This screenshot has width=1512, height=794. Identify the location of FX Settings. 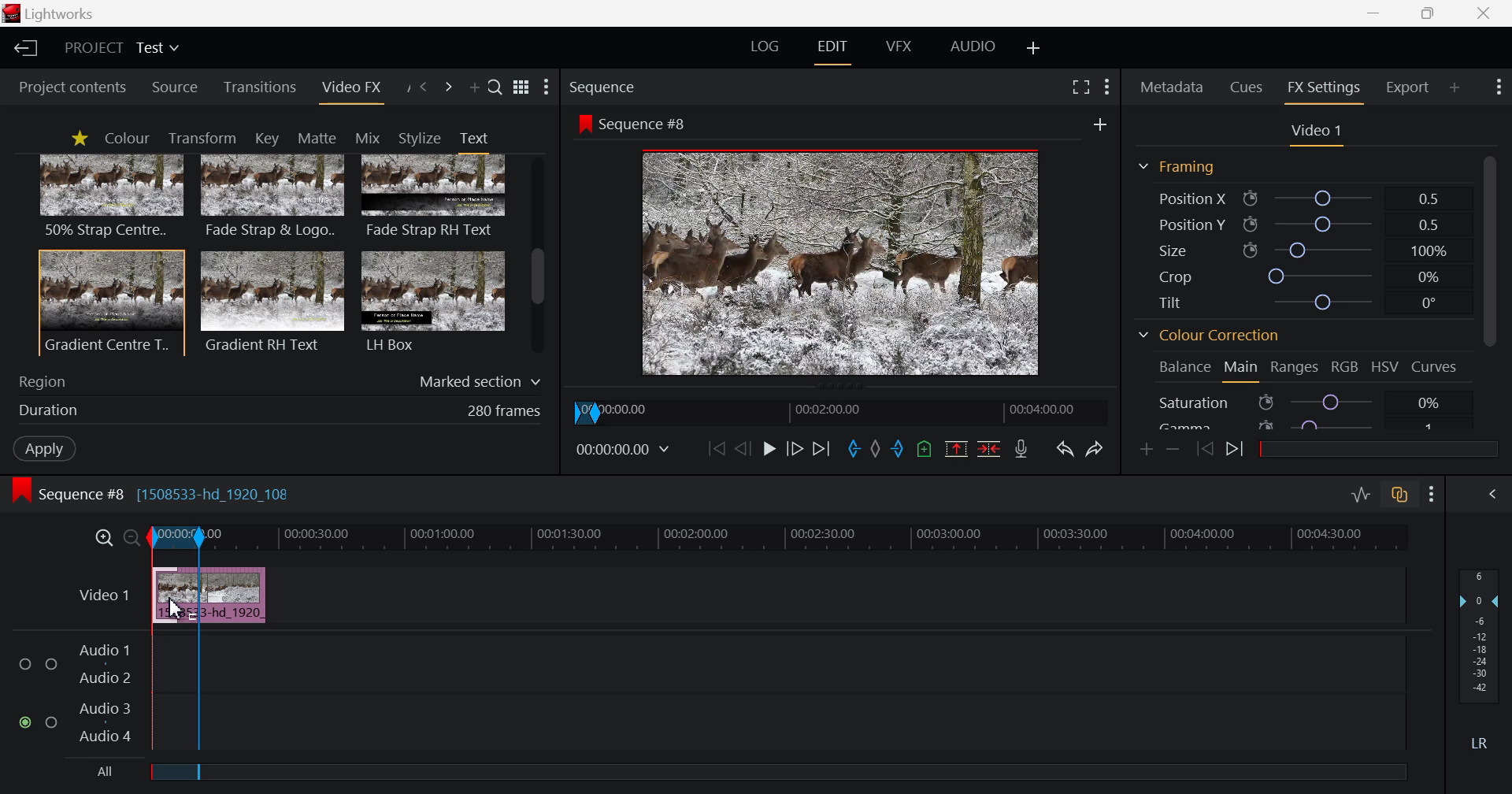
(1323, 87).